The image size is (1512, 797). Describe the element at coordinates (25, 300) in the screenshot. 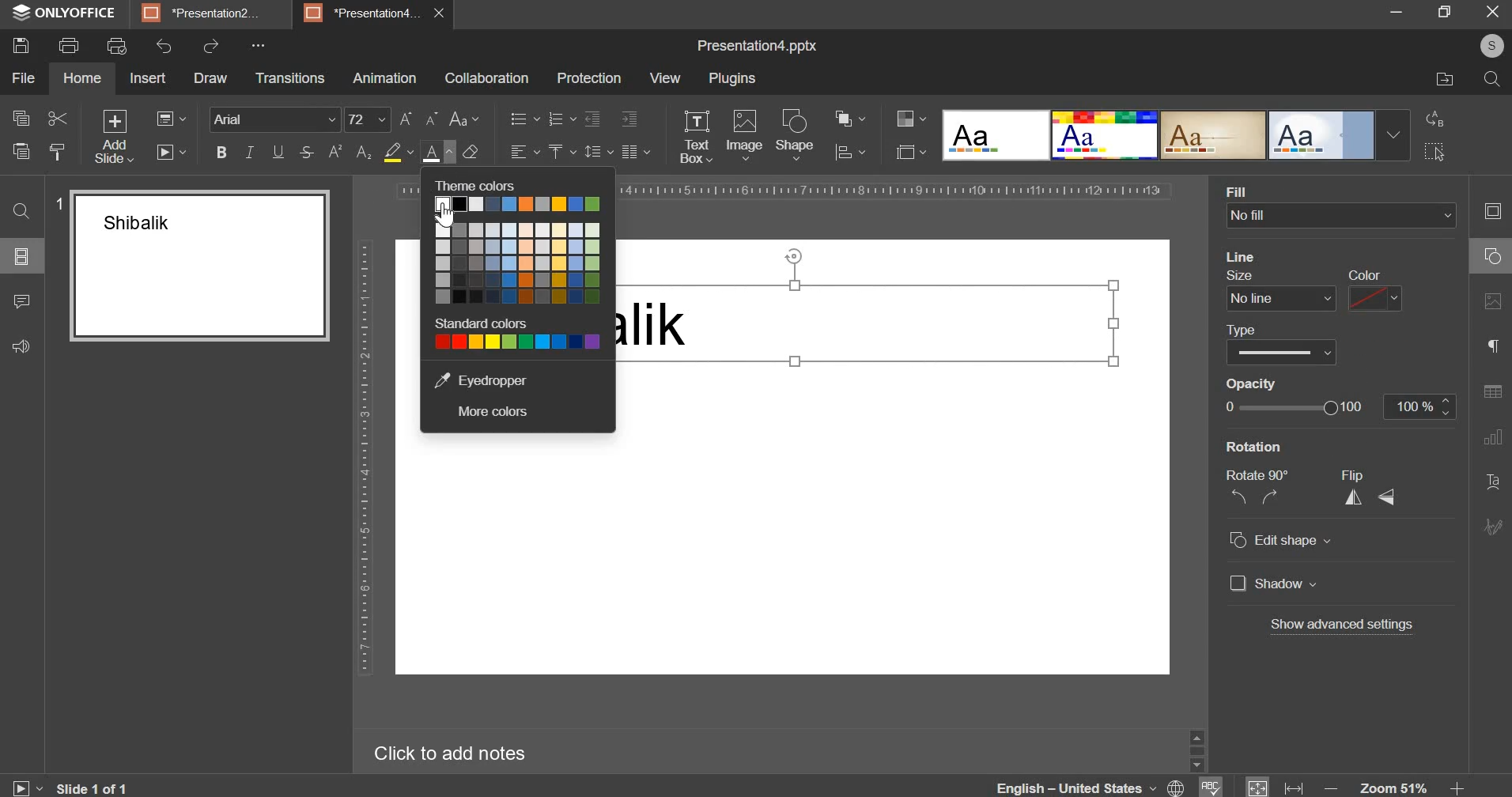

I see `comments` at that location.